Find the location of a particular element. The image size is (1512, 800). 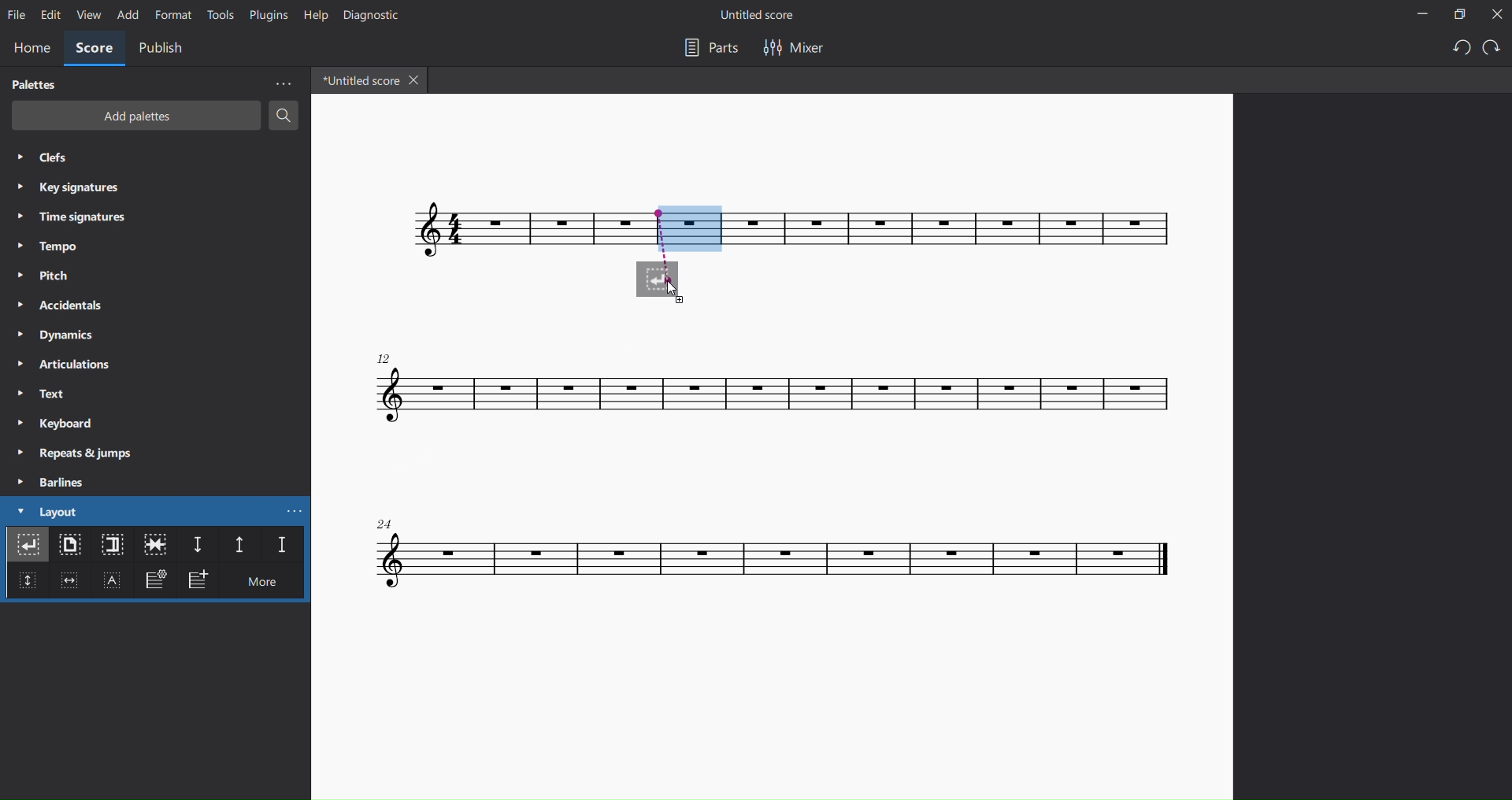

more is located at coordinates (282, 83).